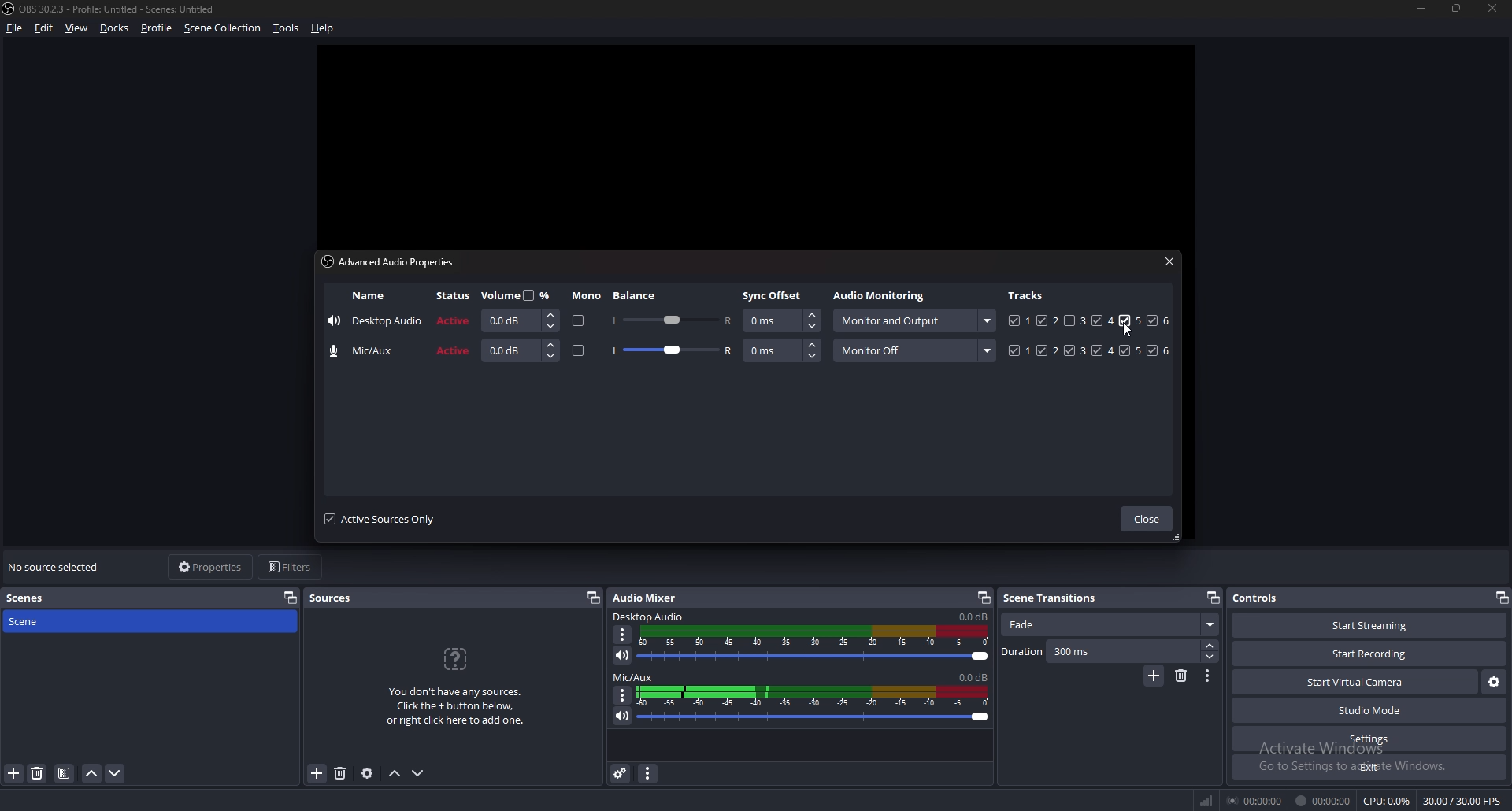 This screenshot has width=1512, height=811. I want to click on tracks, so click(1091, 350).